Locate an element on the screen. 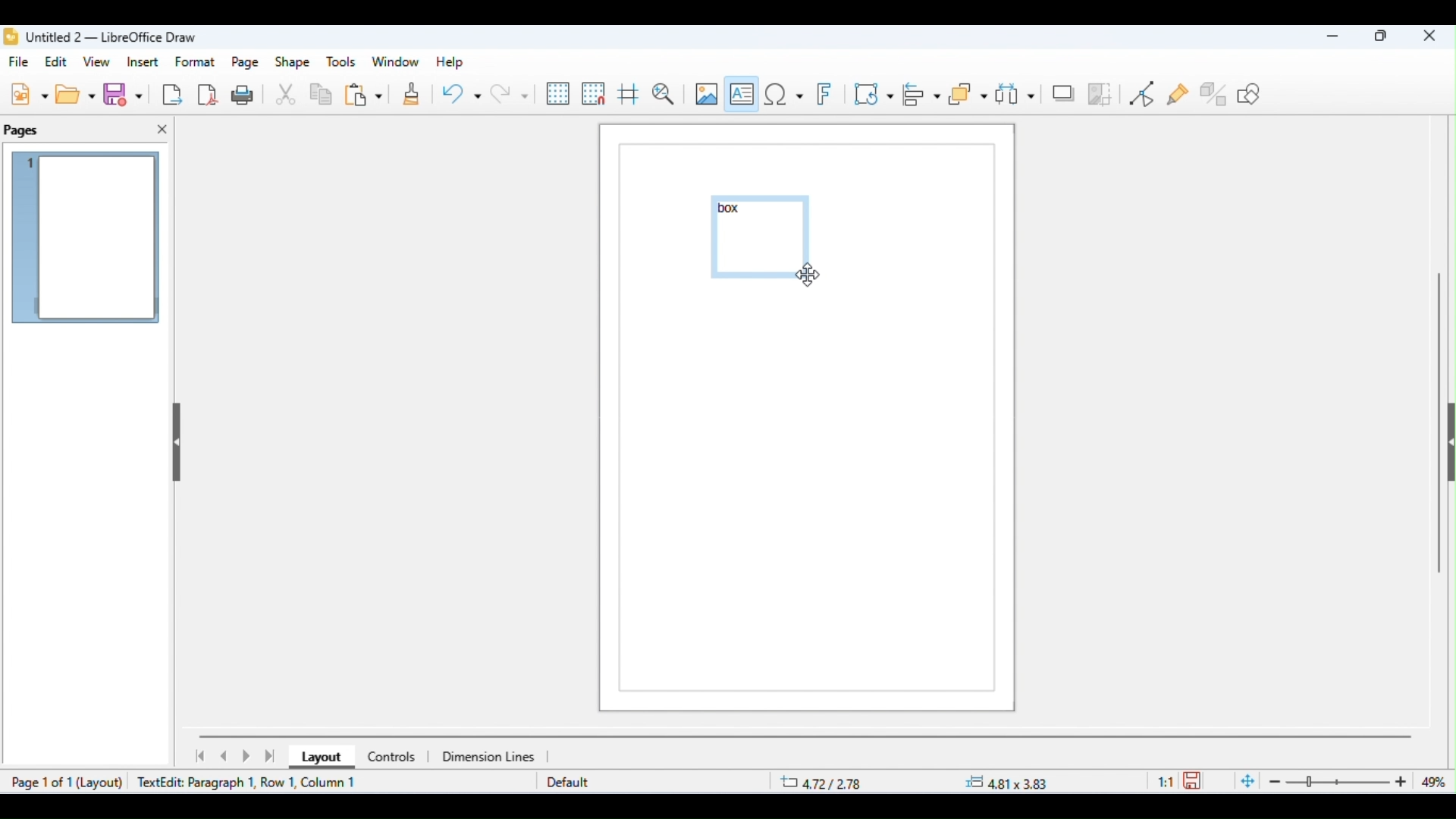 This screenshot has height=819, width=1456. cut is located at coordinates (287, 96).